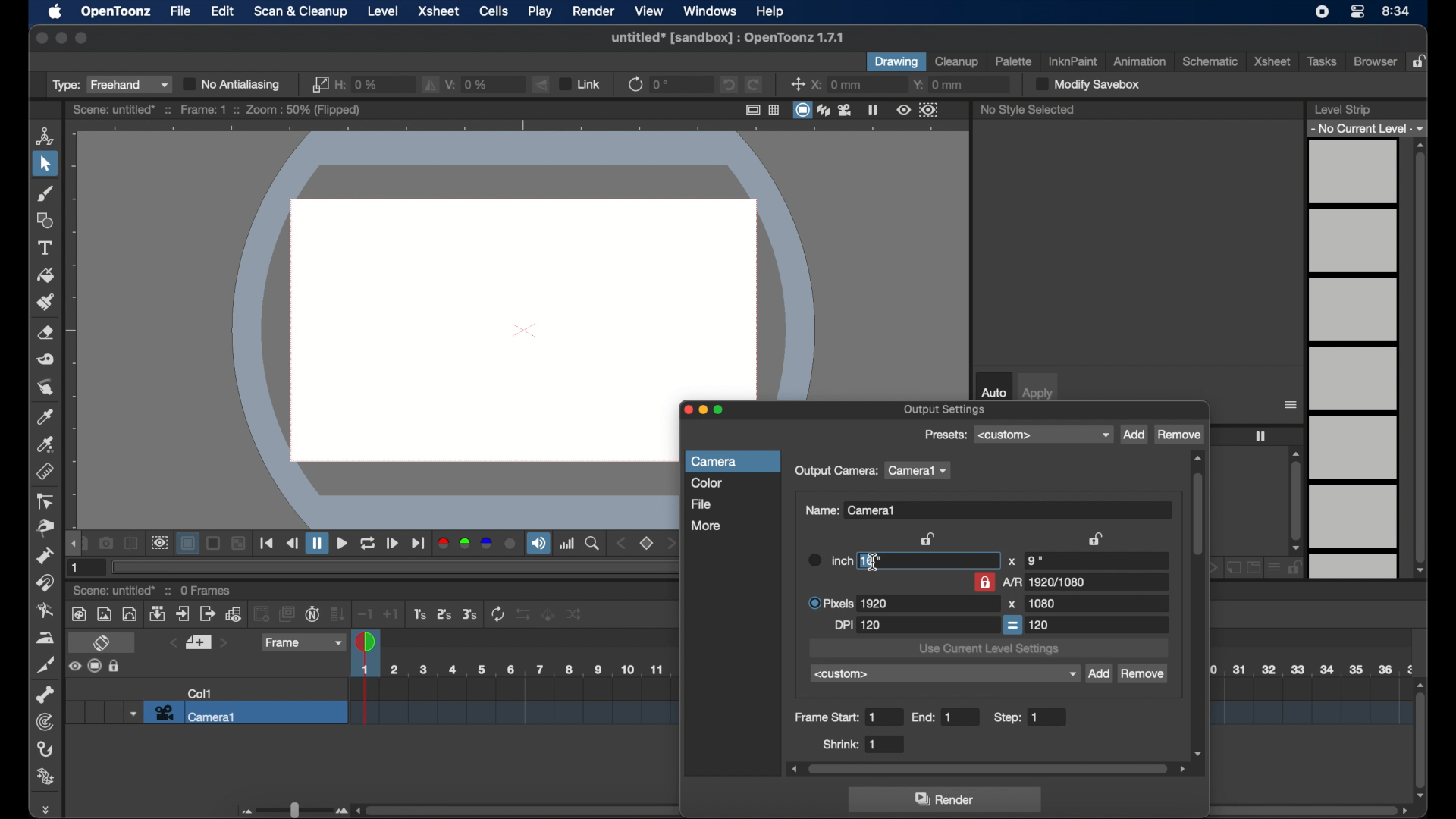  I want to click on , so click(132, 614).